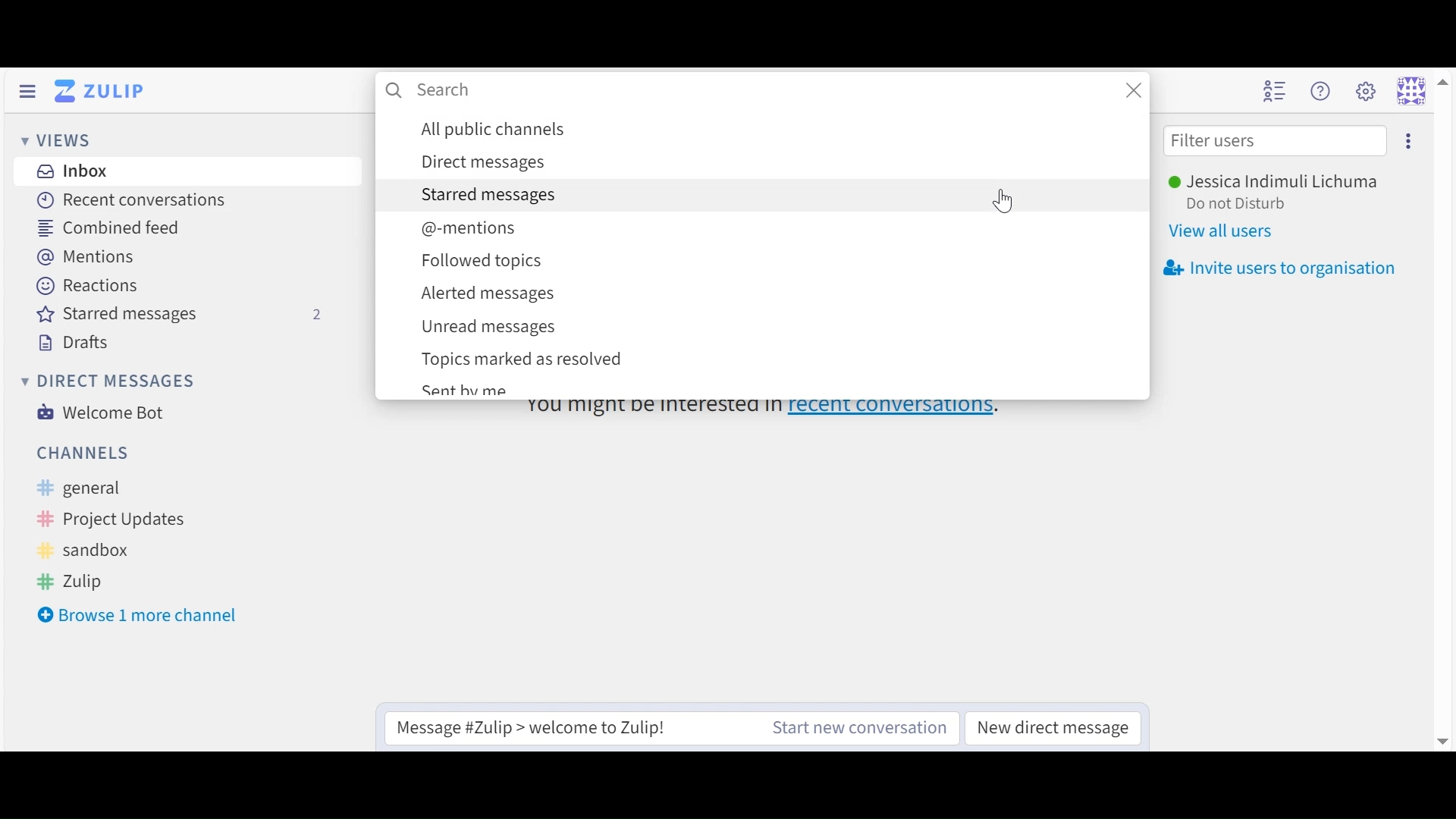  Describe the element at coordinates (112, 489) in the screenshot. I see `General` at that location.